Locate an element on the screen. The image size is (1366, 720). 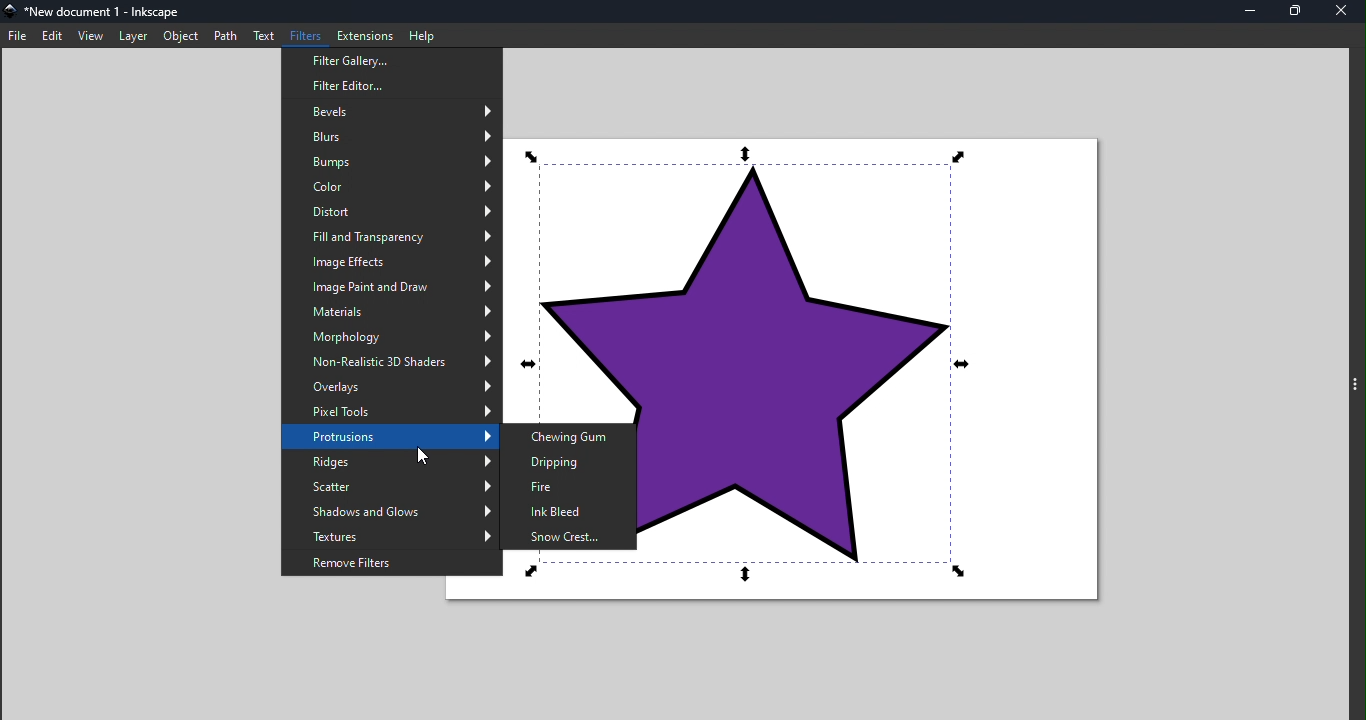
Snow crest is located at coordinates (569, 536).